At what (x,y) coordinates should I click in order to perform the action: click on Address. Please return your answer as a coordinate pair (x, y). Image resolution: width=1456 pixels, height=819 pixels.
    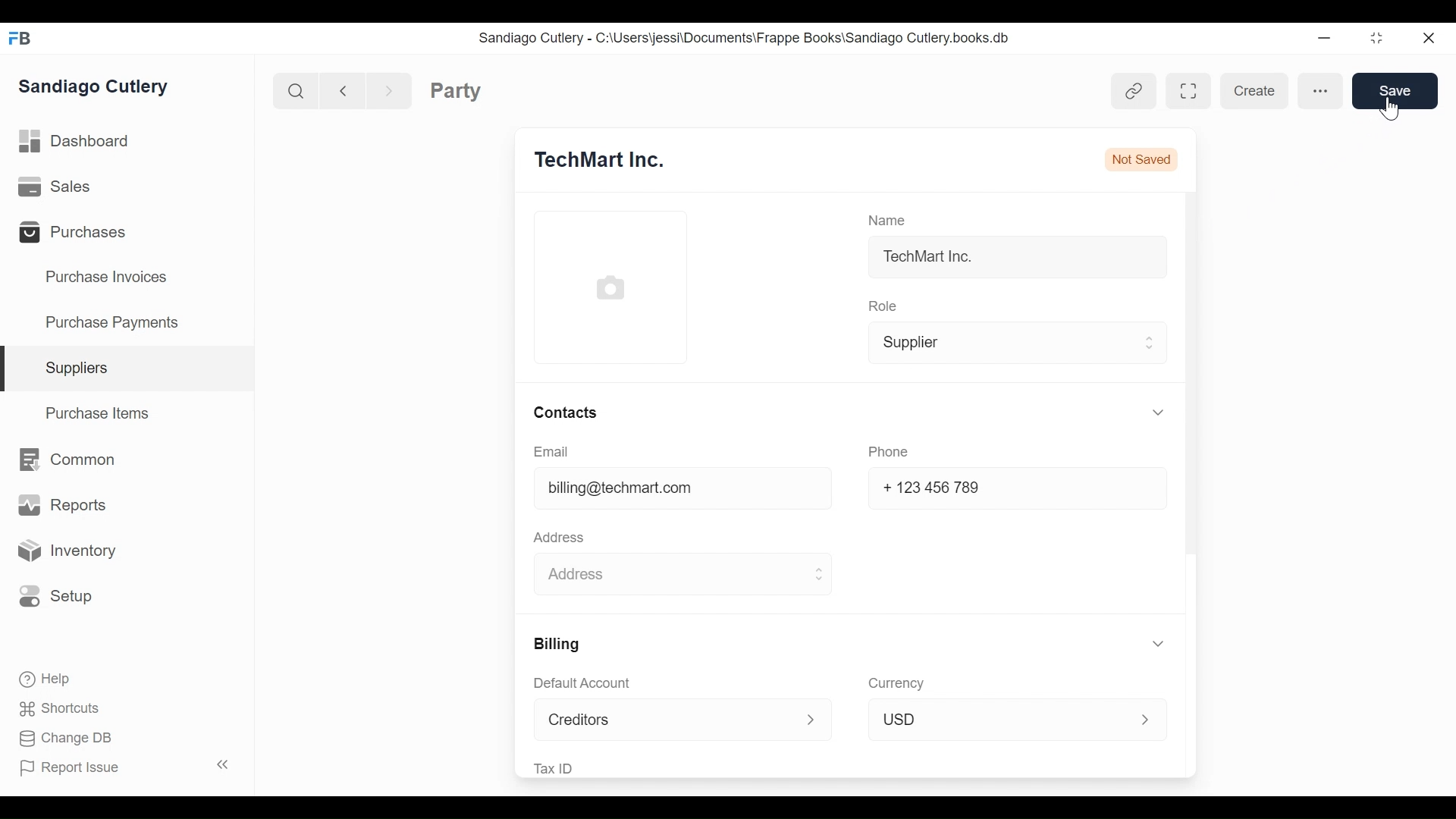
    Looking at the image, I should click on (564, 540).